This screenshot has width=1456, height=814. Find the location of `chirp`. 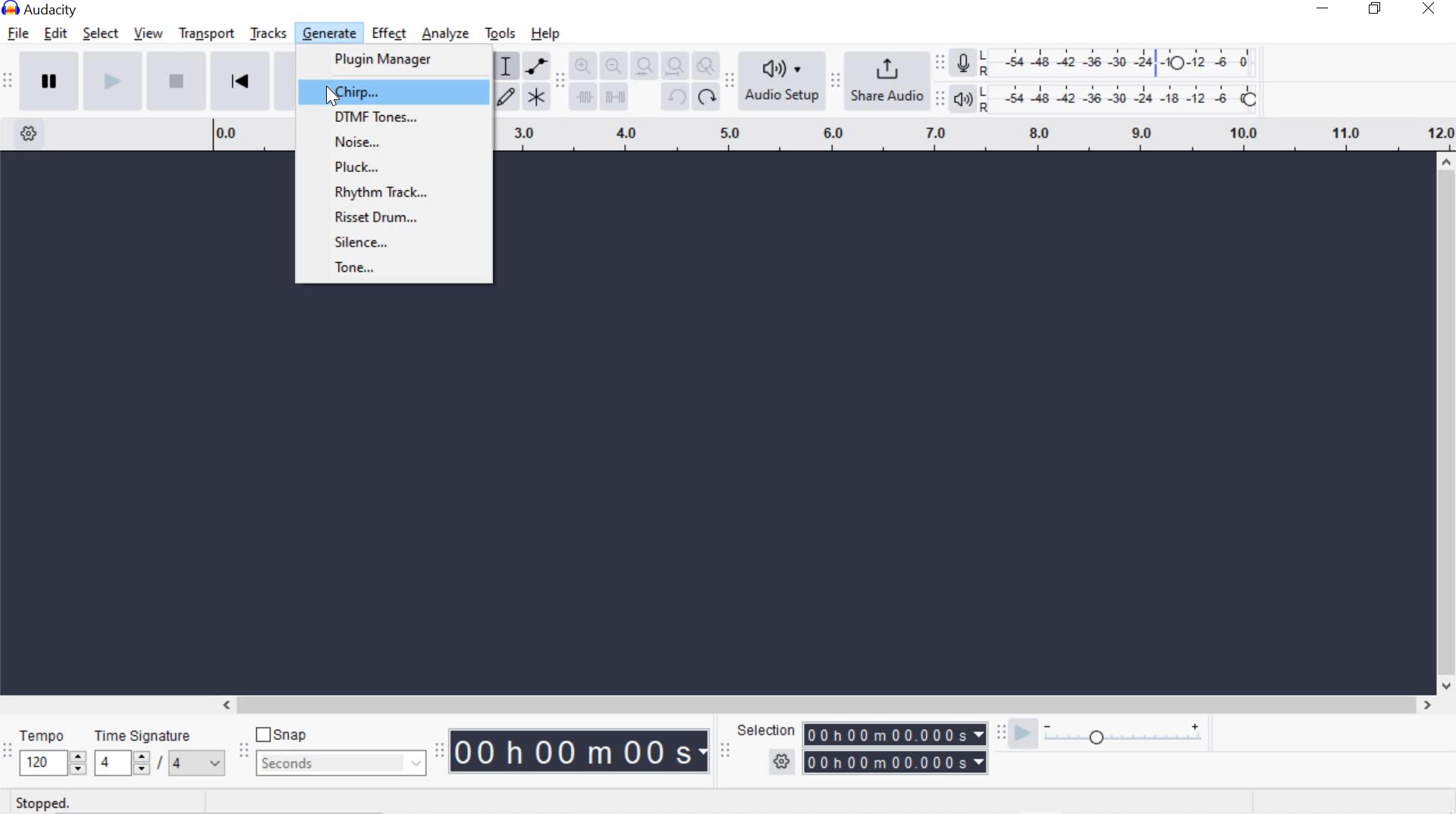

chirp is located at coordinates (396, 91).